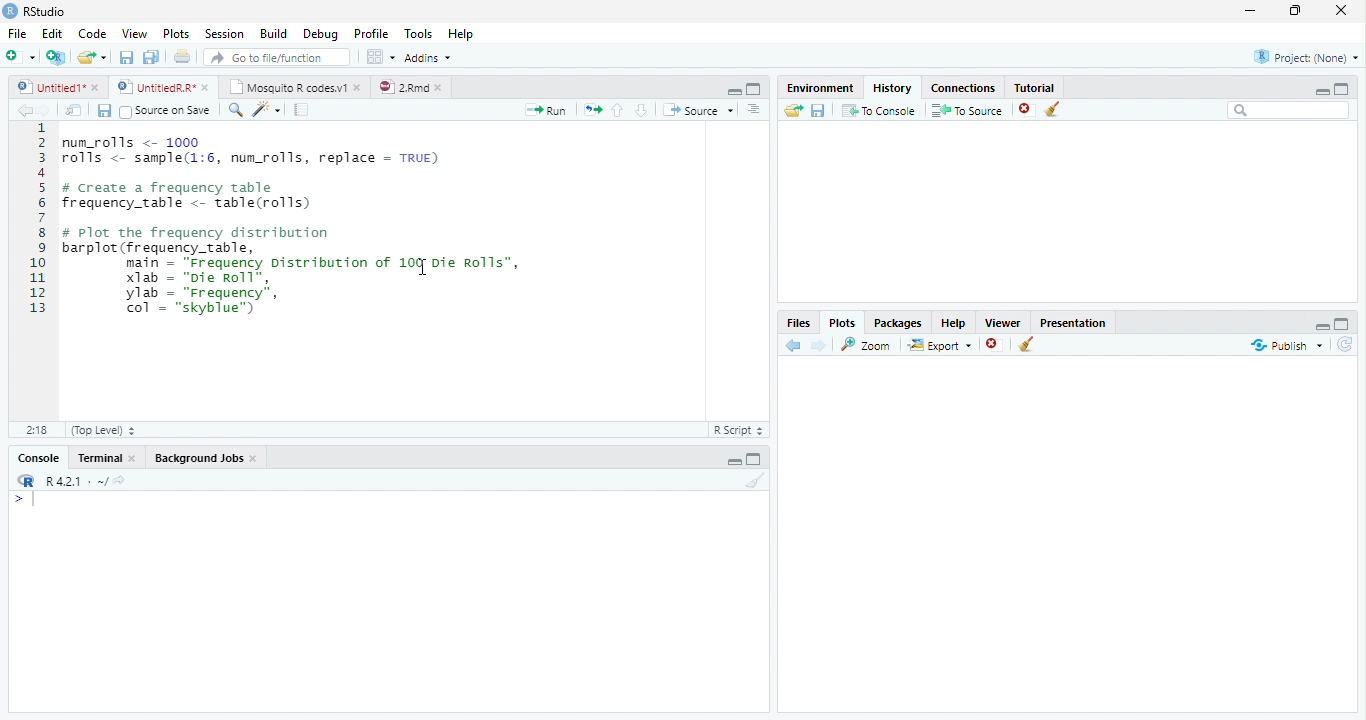  Describe the element at coordinates (182, 56) in the screenshot. I see `Print` at that location.